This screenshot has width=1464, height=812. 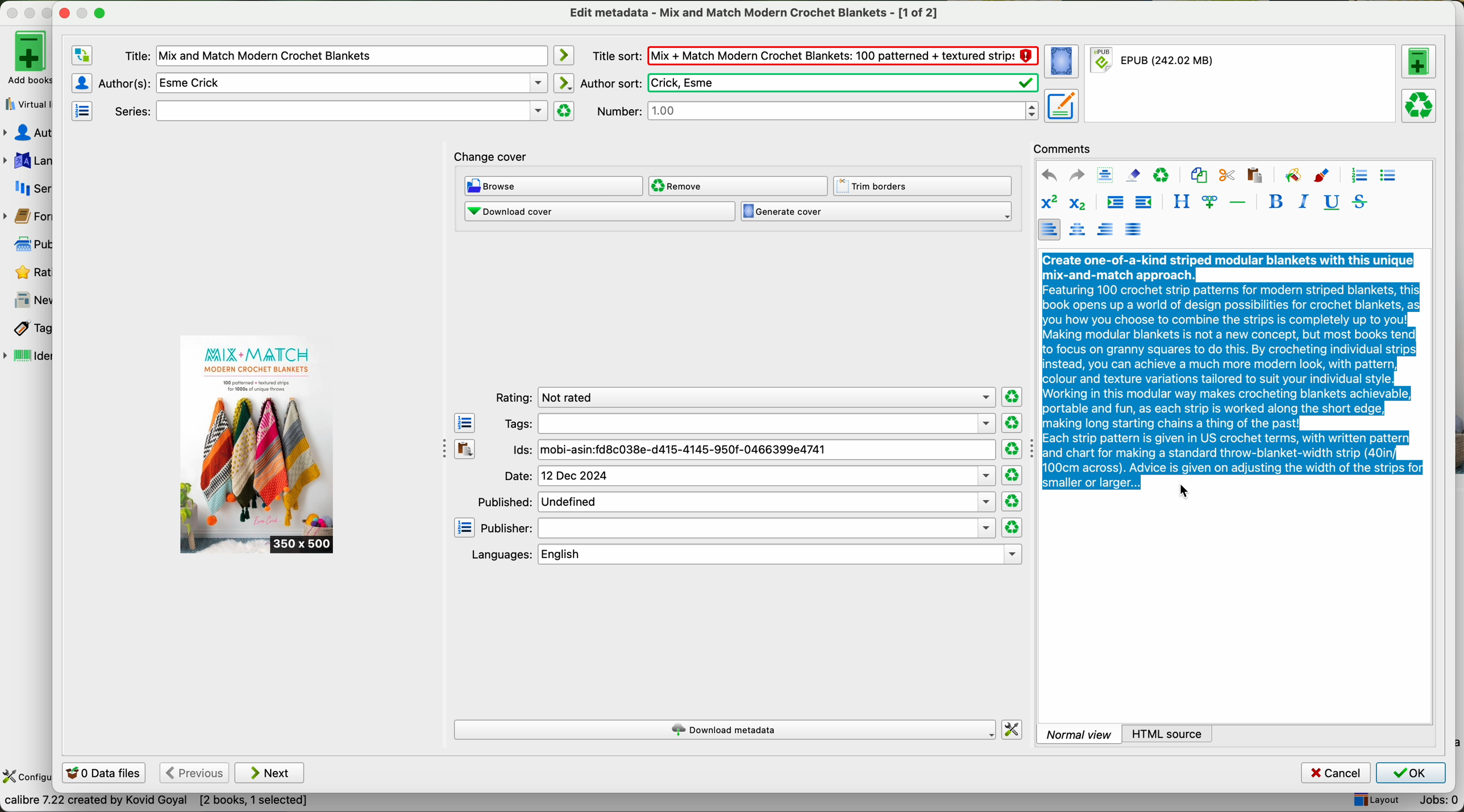 What do you see at coordinates (1301, 201) in the screenshot?
I see `italic` at bounding box center [1301, 201].